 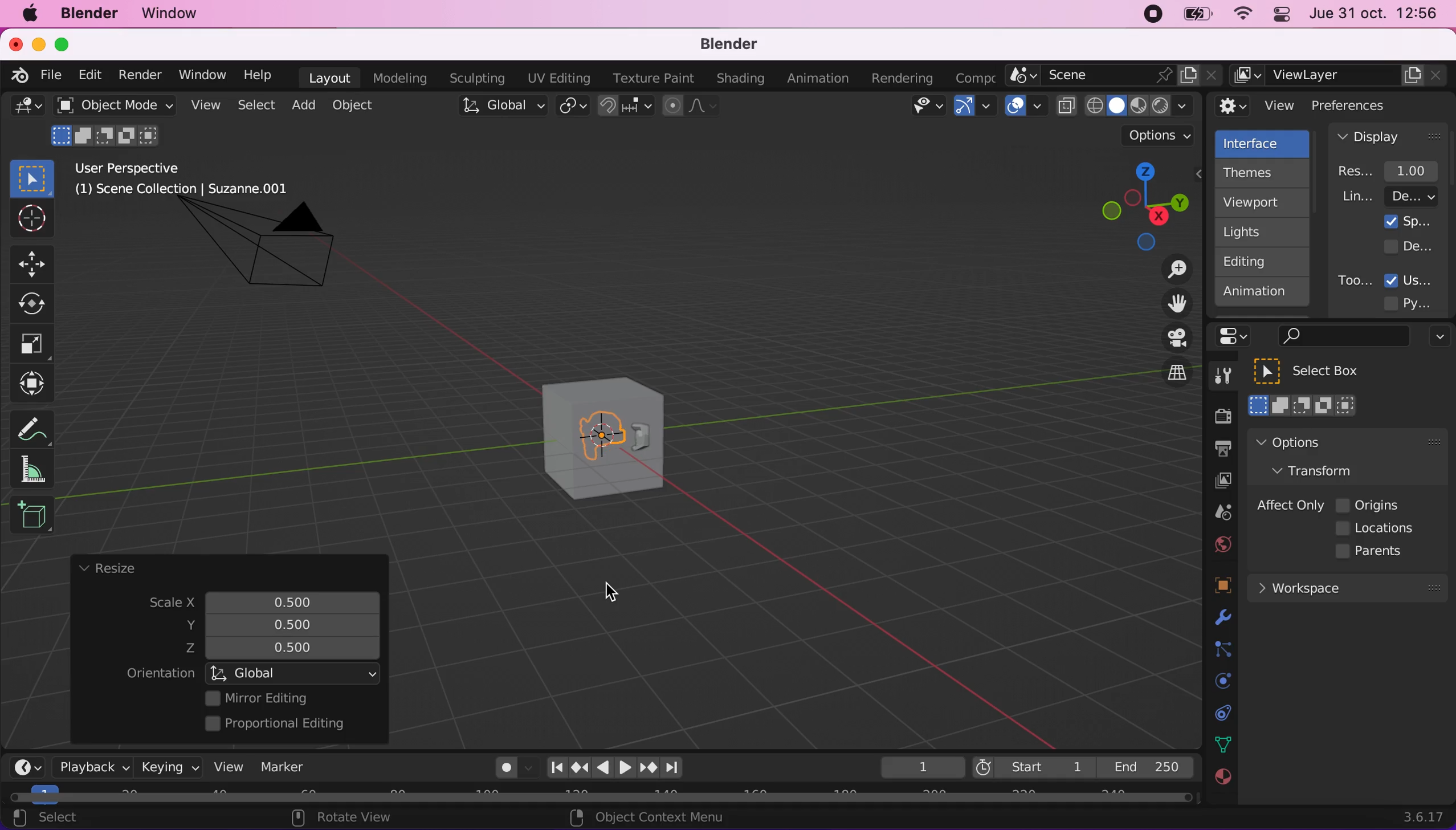 What do you see at coordinates (224, 766) in the screenshot?
I see `view` at bounding box center [224, 766].